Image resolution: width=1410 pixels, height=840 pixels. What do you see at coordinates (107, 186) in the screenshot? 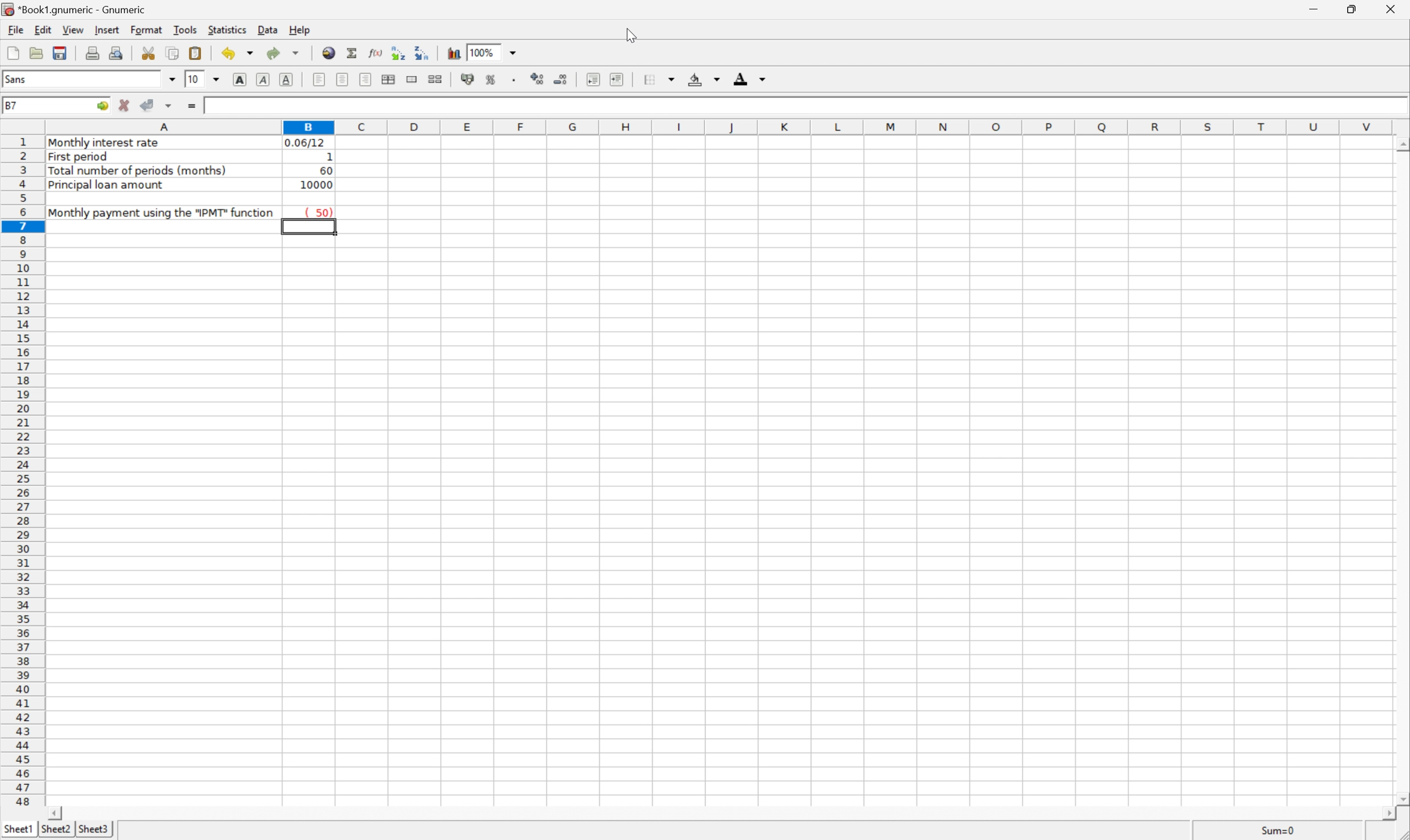
I see `Principal loan amount` at bounding box center [107, 186].